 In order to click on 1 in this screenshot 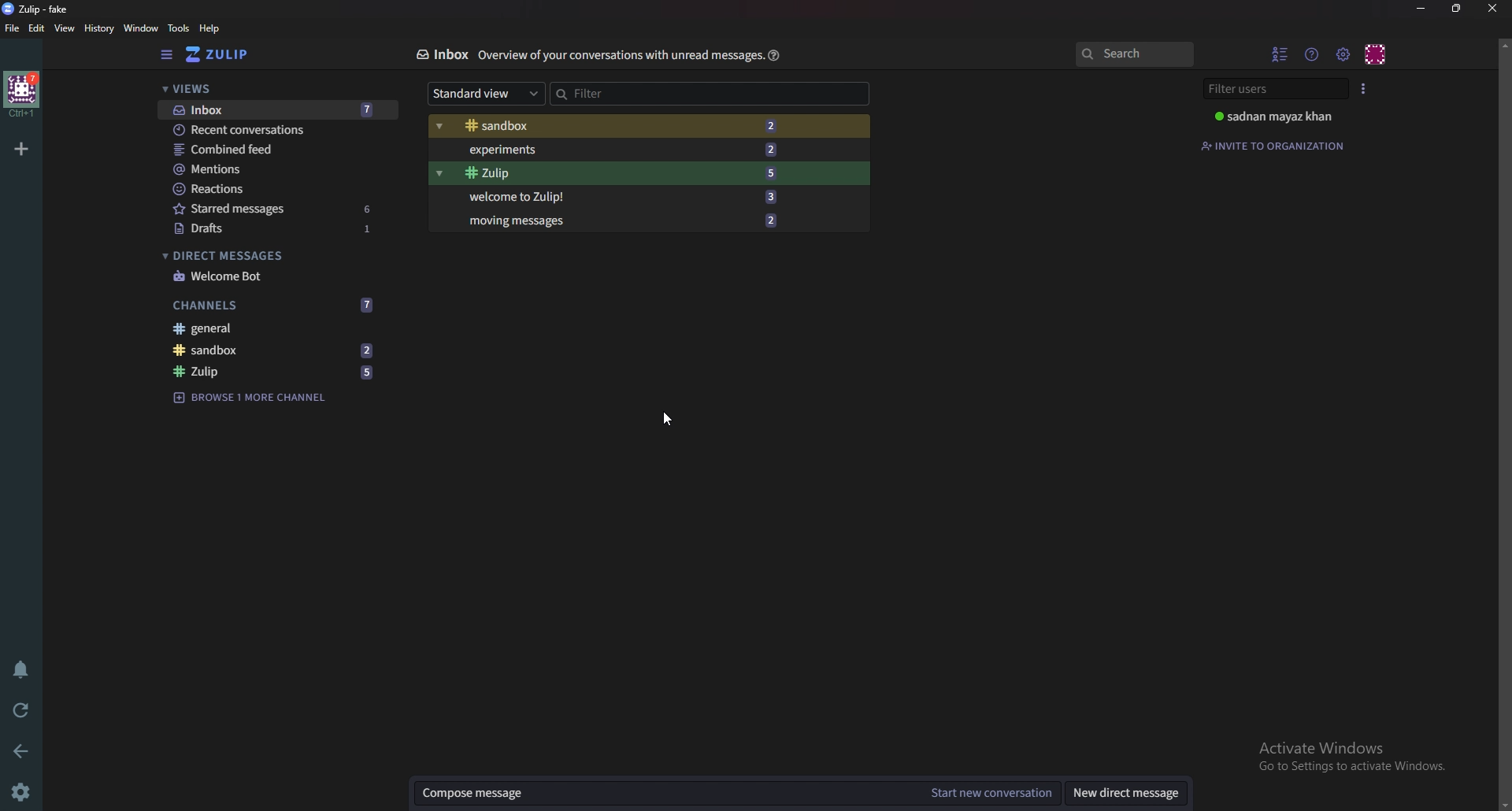, I will do `click(377, 233)`.